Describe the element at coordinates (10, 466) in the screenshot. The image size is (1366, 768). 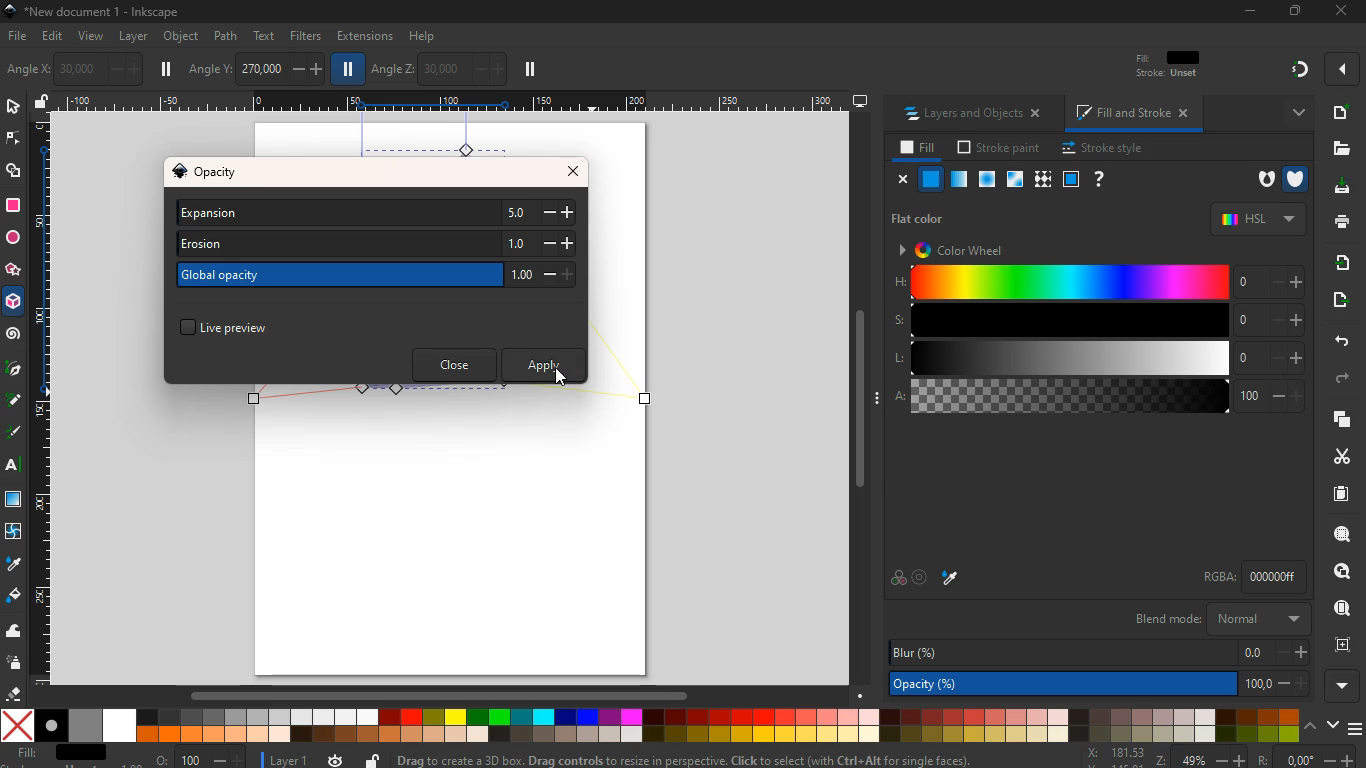
I see `text` at that location.